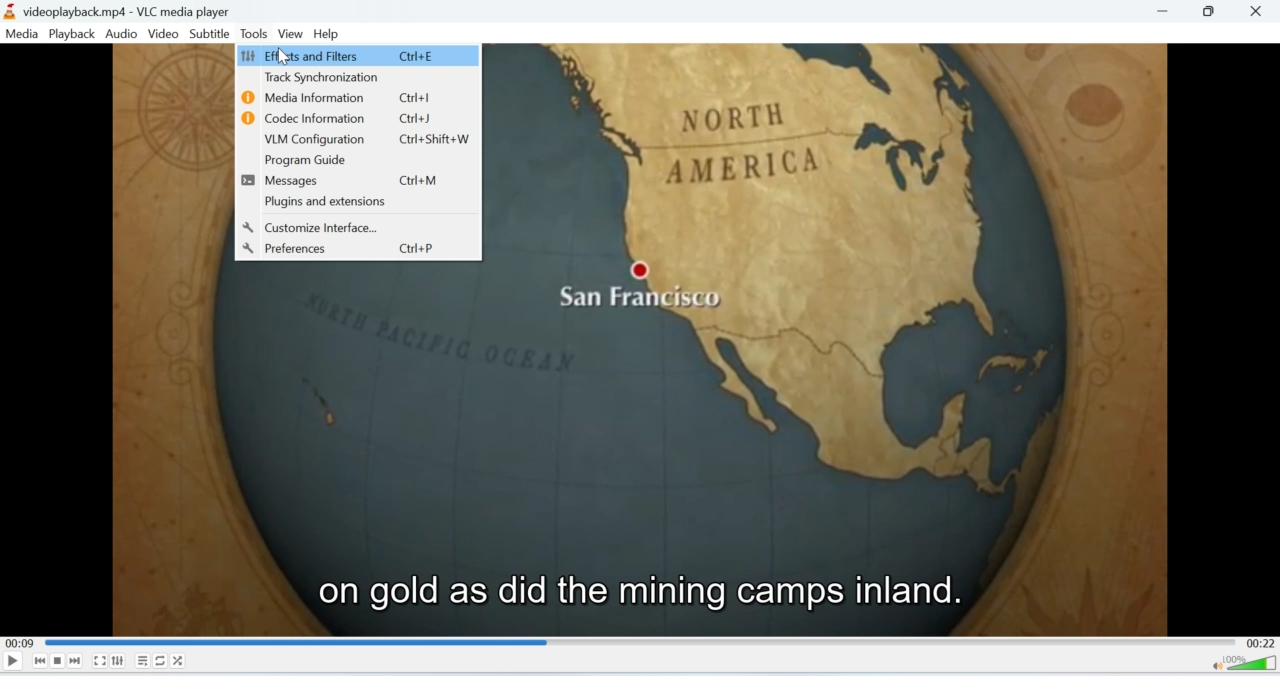 This screenshot has width=1280, height=676. I want to click on Fullscreen, so click(100, 661).